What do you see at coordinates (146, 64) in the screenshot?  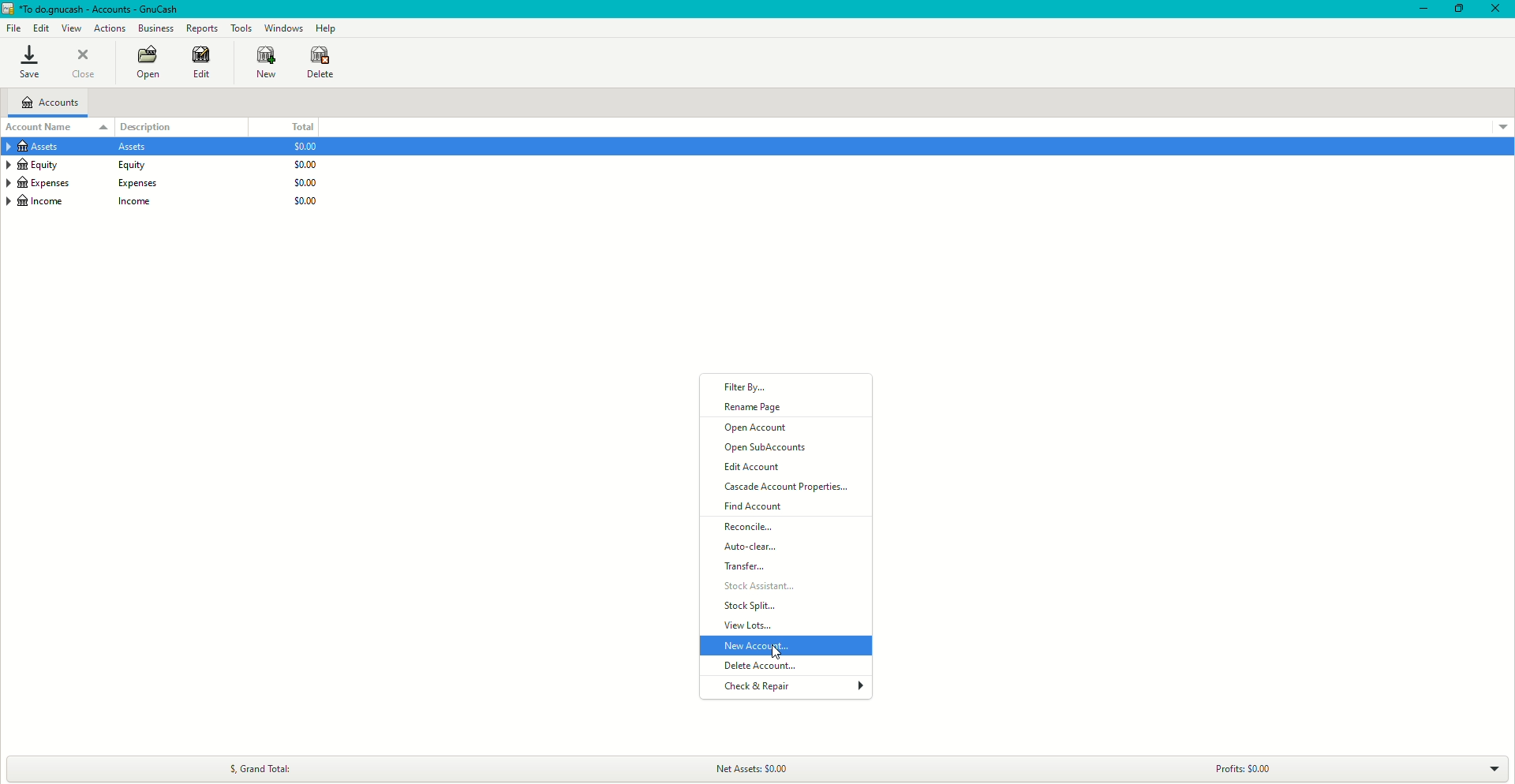 I see `Open` at bounding box center [146, 64].